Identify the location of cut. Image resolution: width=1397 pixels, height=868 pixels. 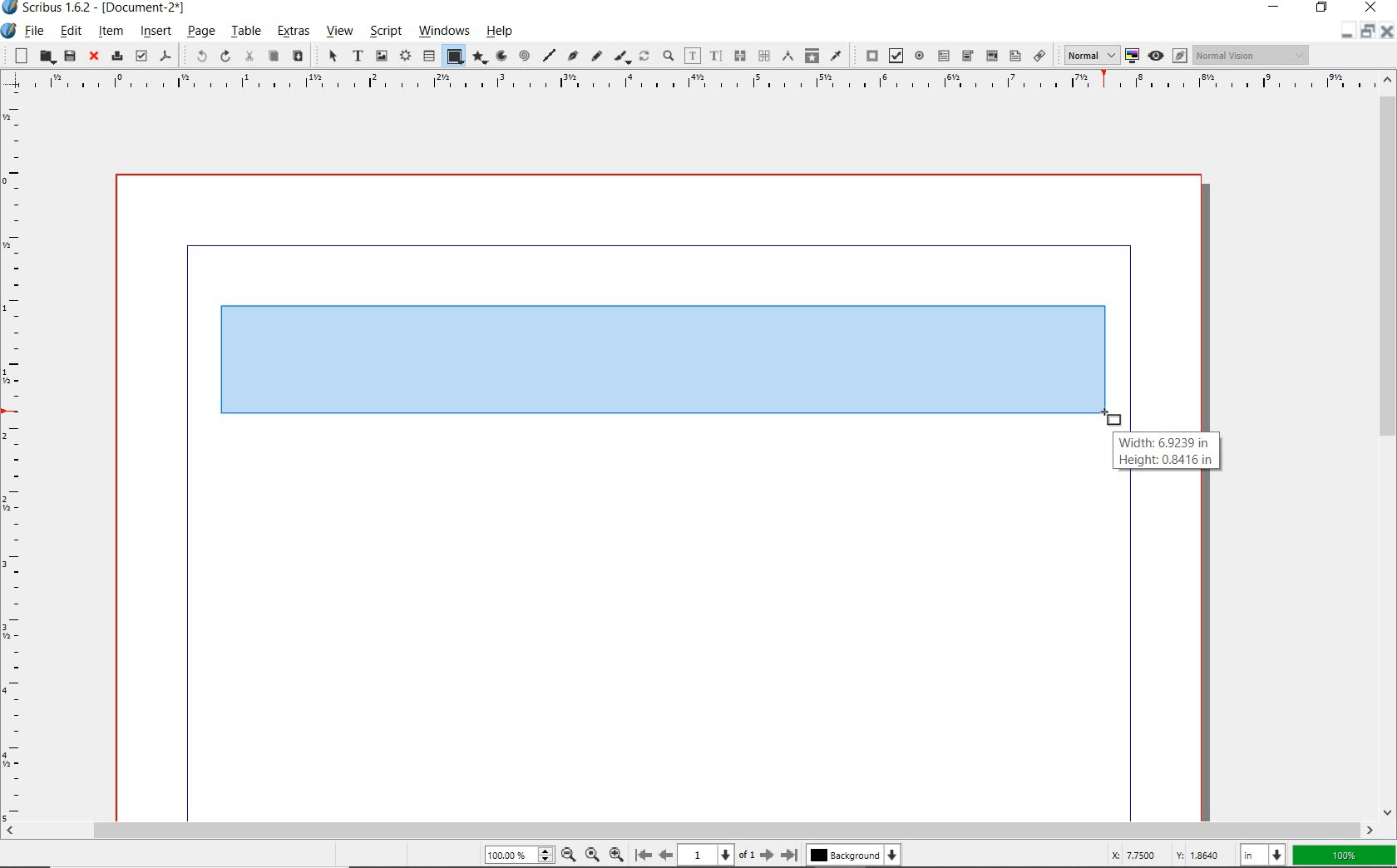
(249, 57).